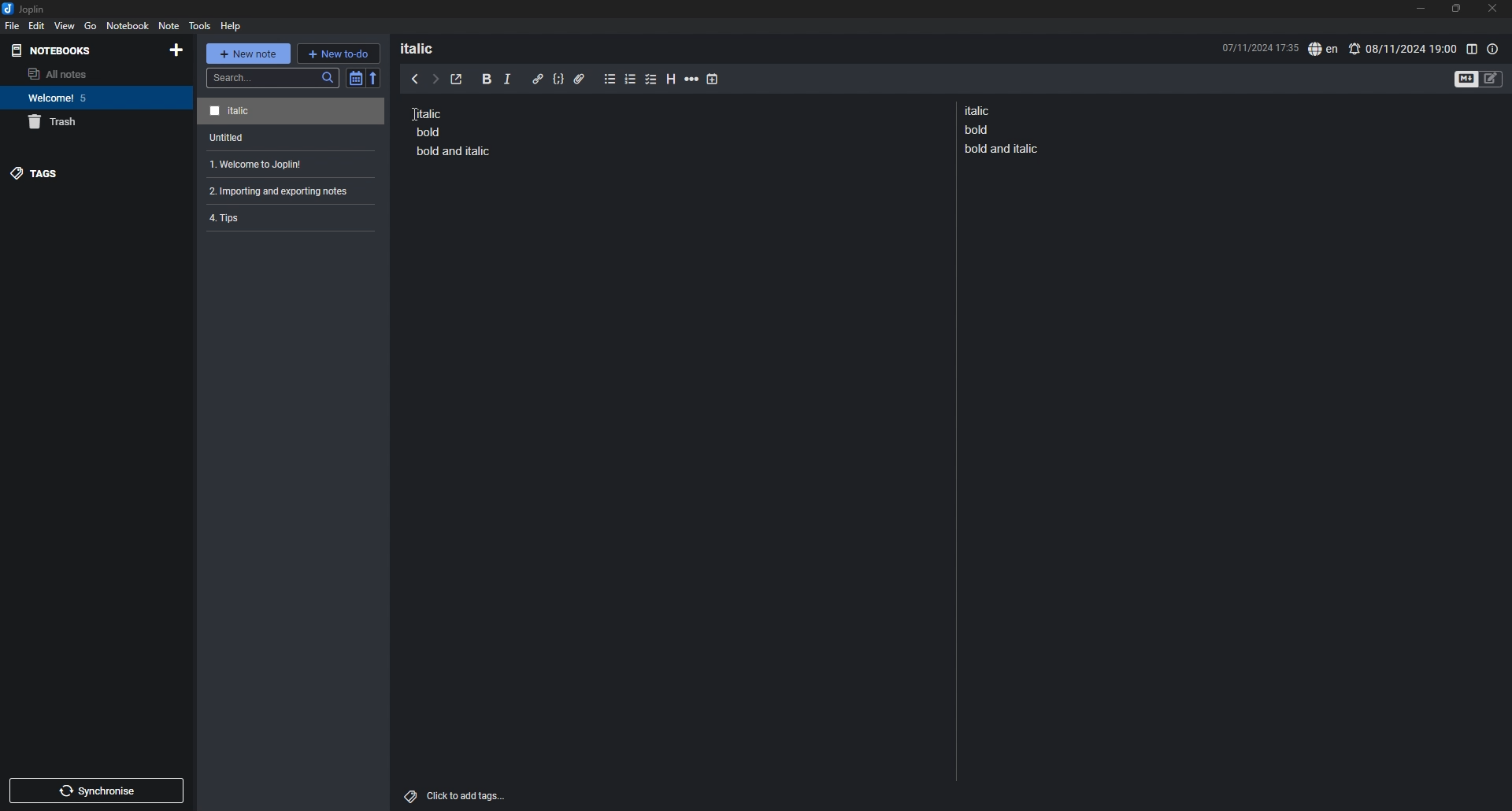 Image resolution: width=1512 pixels, height=811 pixels. I want to click on set alarm, so click(1403, 48).